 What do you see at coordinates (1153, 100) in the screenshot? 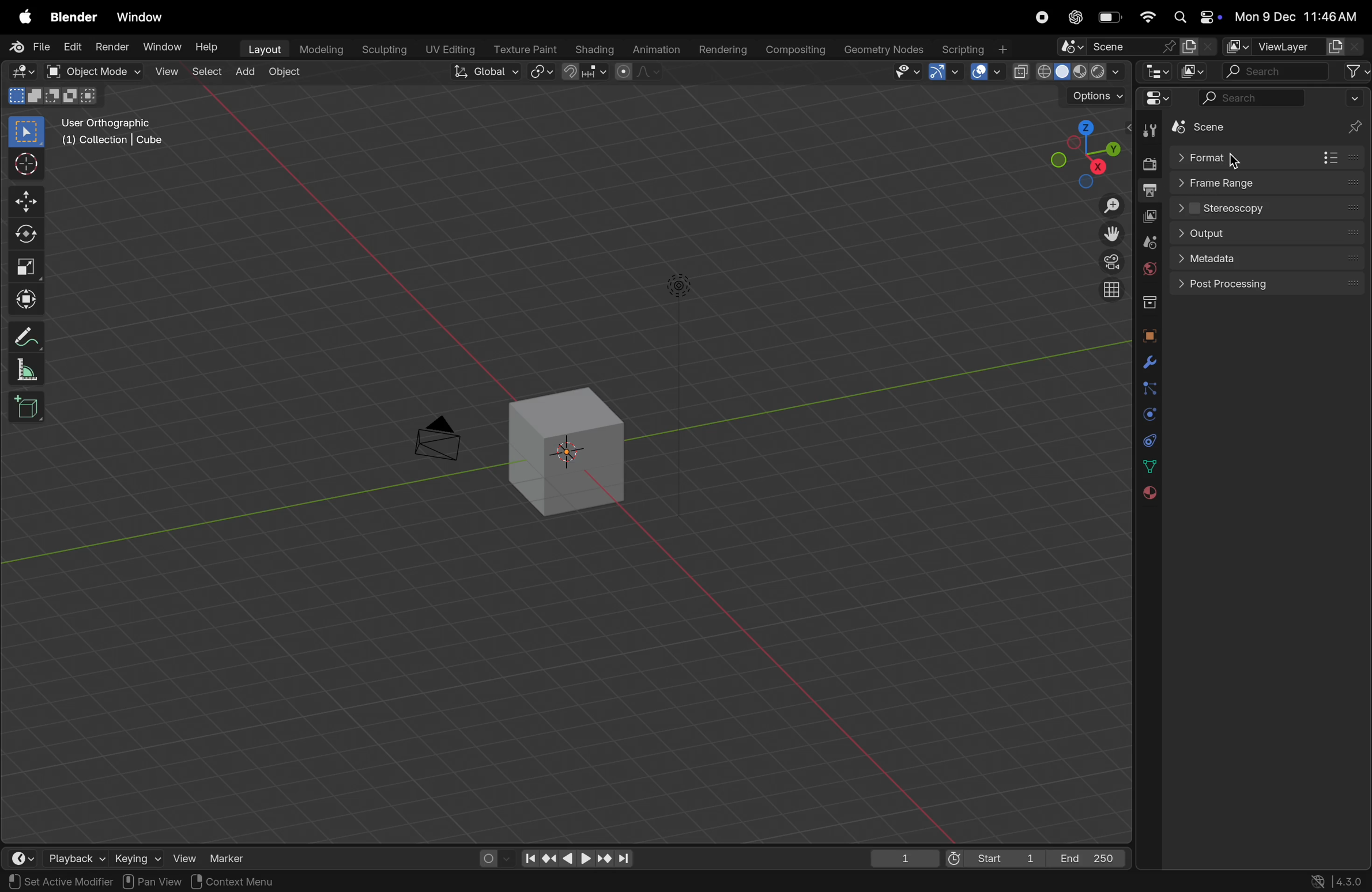
I see `editor type` at bounding box center [1153, 100].